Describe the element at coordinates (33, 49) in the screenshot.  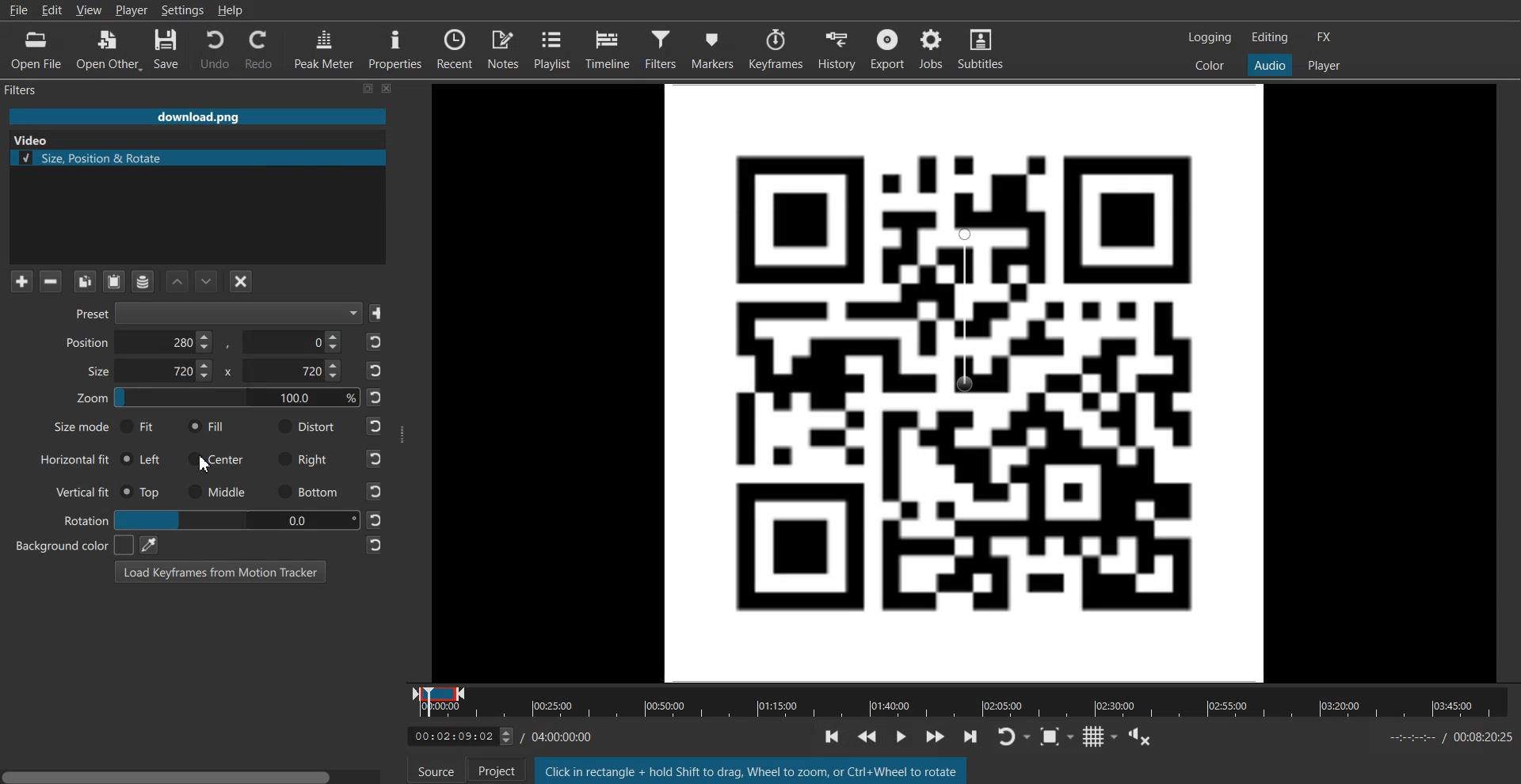
I see `Open File` at that location.